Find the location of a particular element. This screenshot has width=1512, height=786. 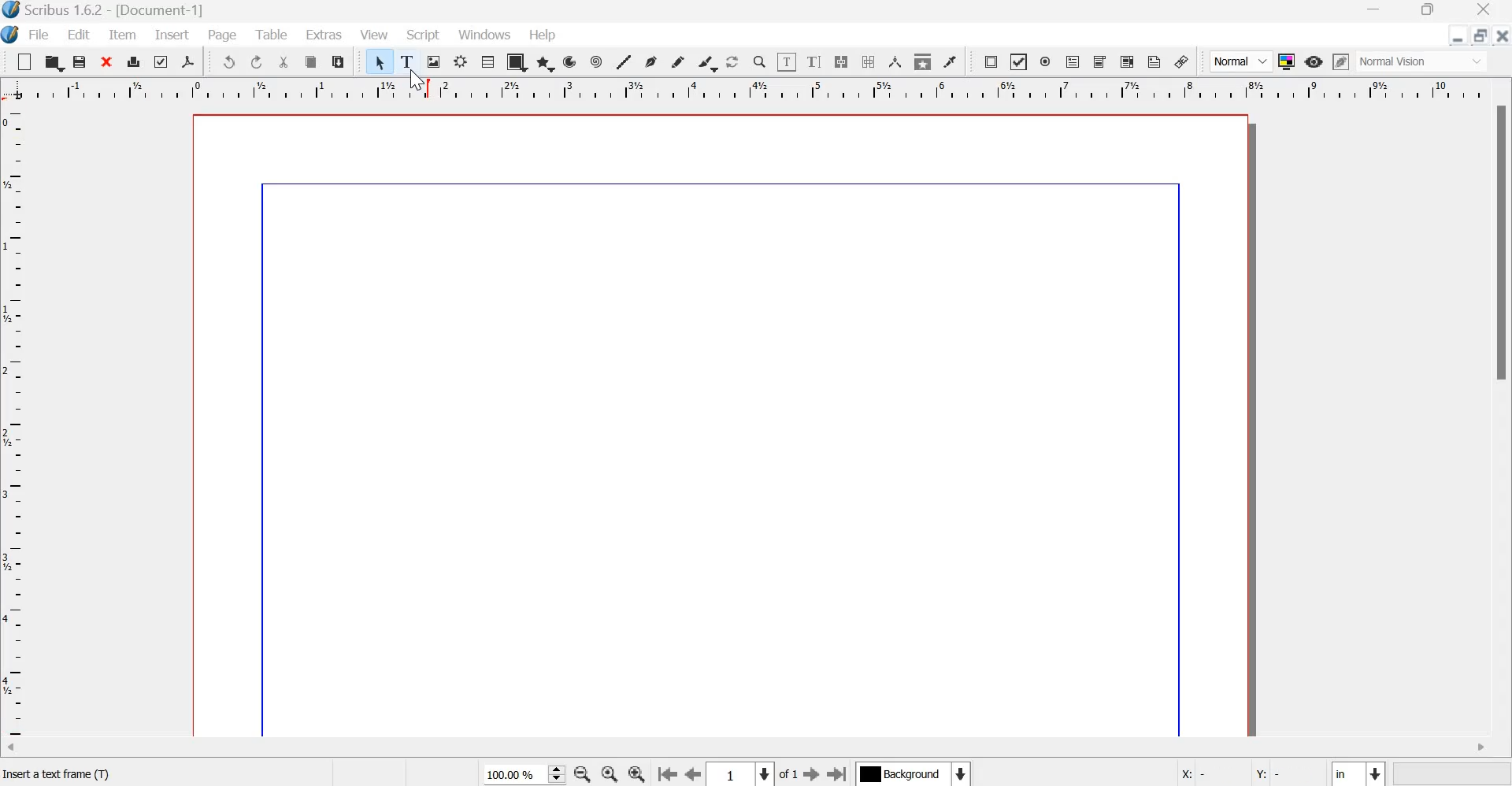

arc is located at coordinates (570, 61).